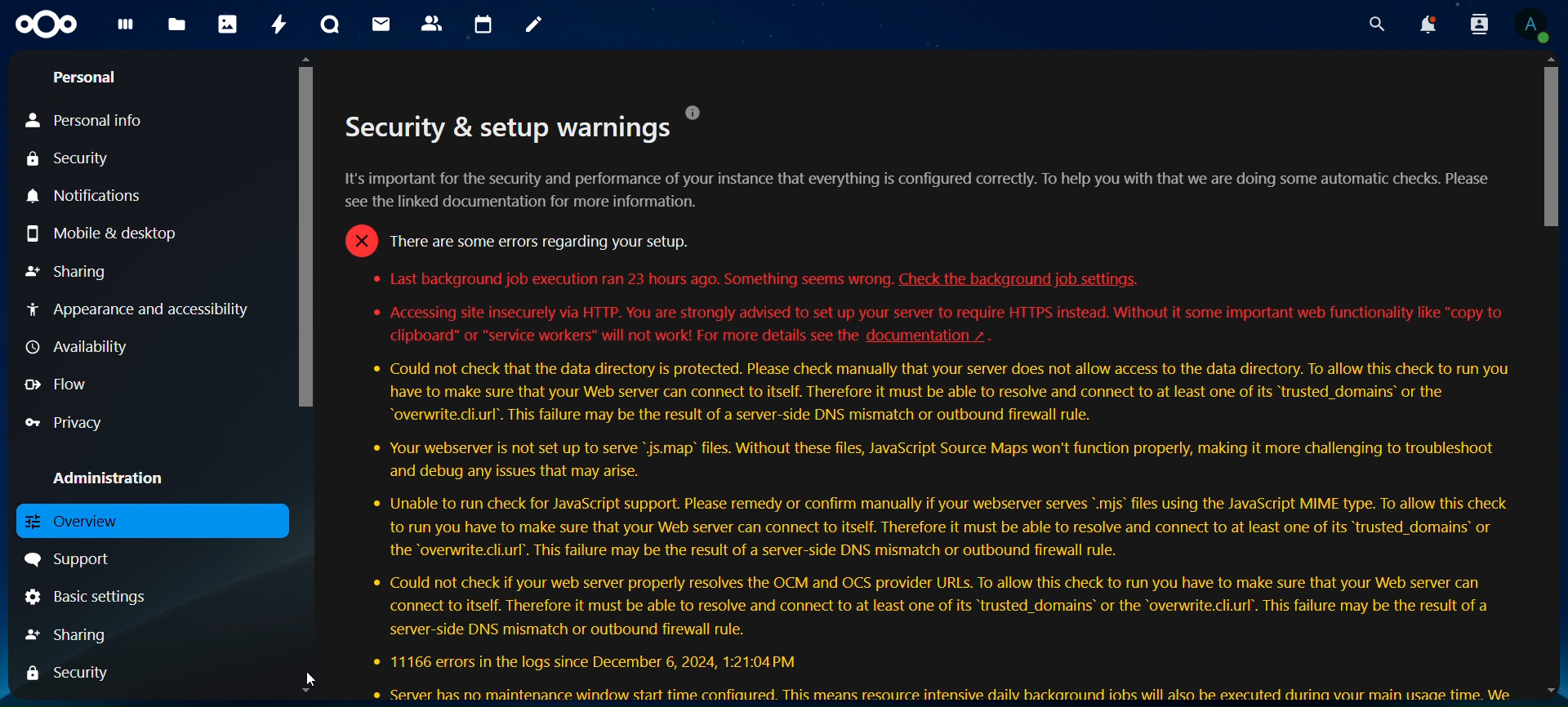 The width and height of the screenshot is (1568, 707). I want to click on search, so click(1377, 25).